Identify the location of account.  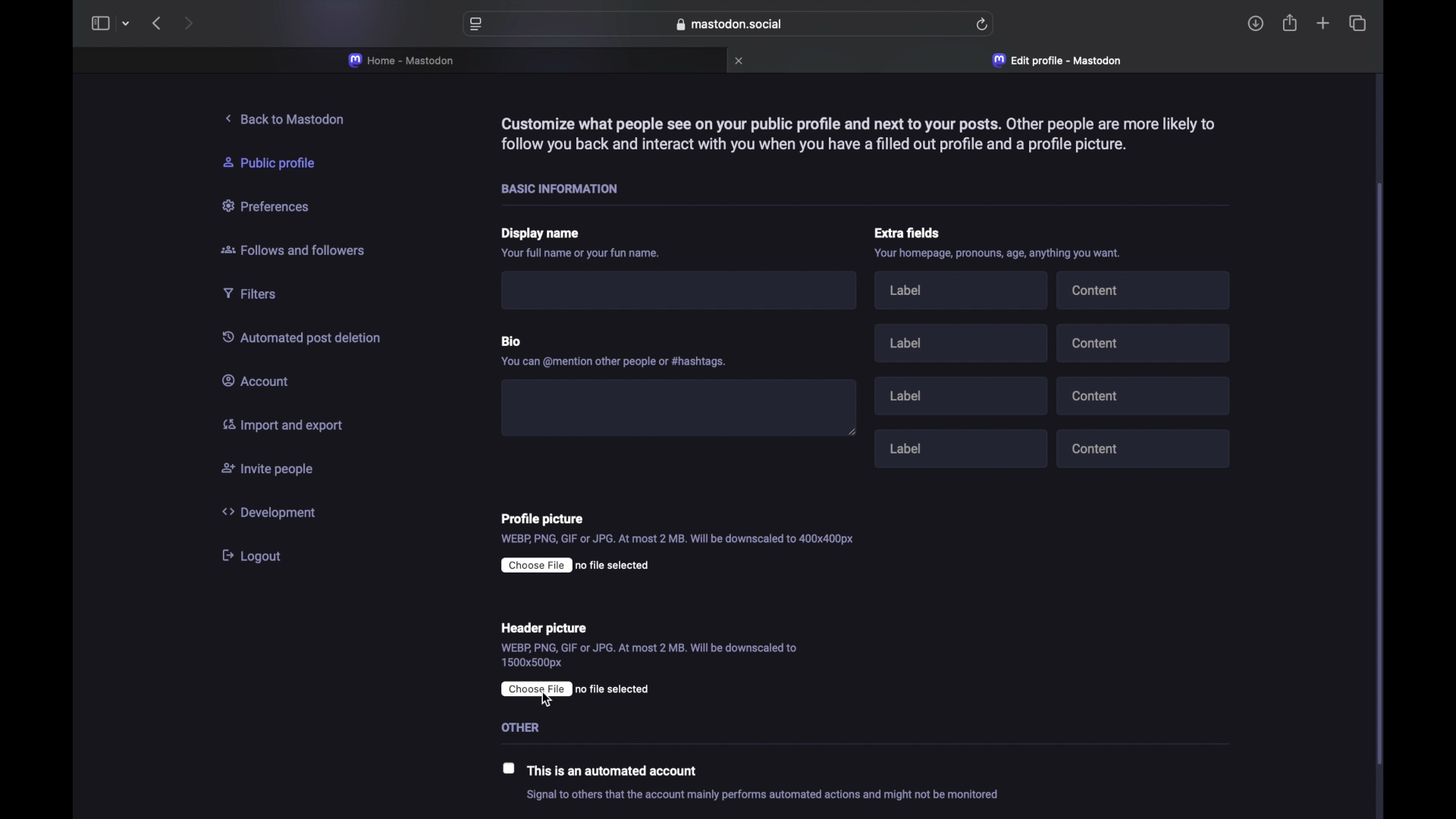
(260, 381).